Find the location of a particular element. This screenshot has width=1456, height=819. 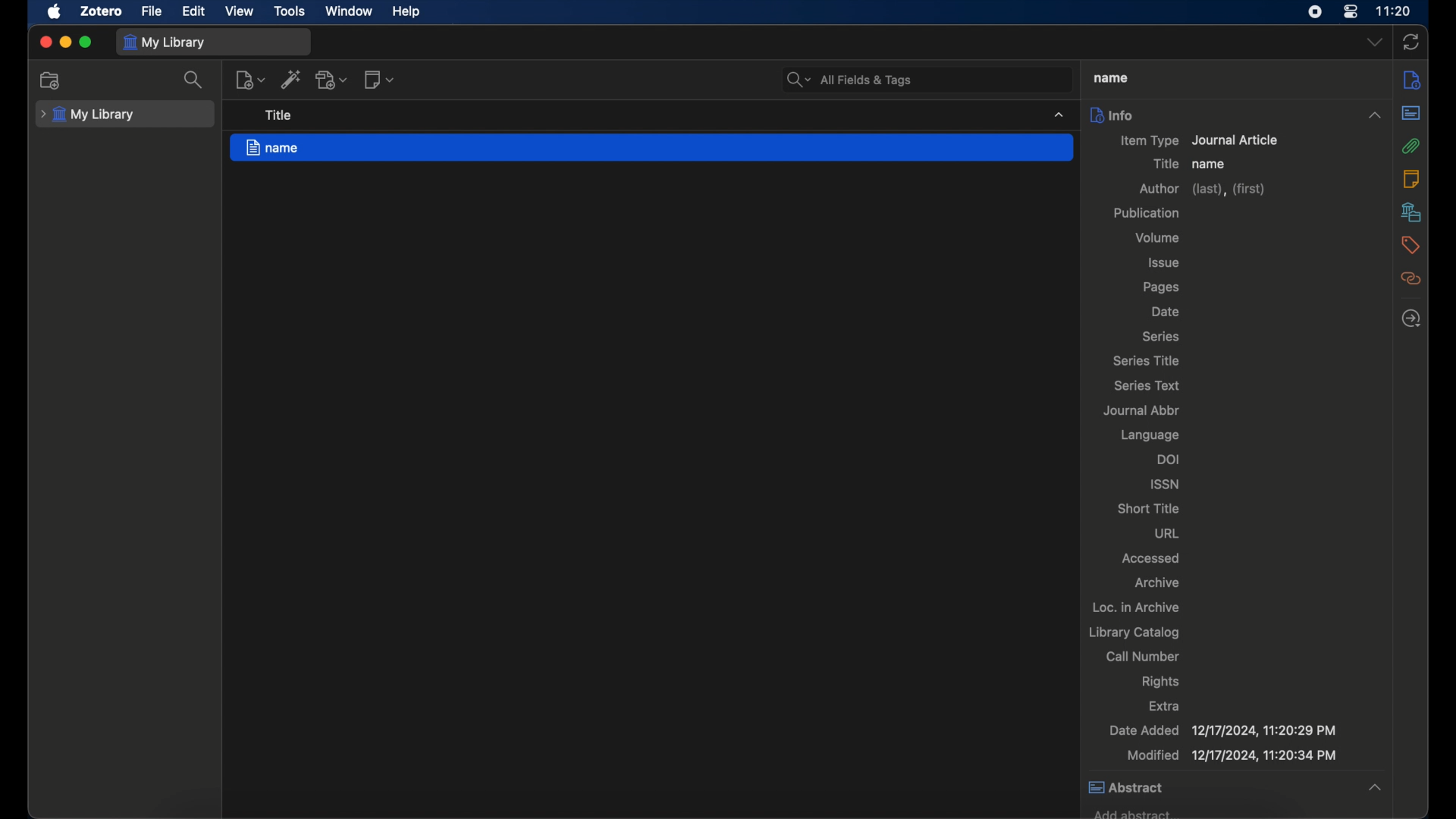

window is located at coordinates (350, 12).